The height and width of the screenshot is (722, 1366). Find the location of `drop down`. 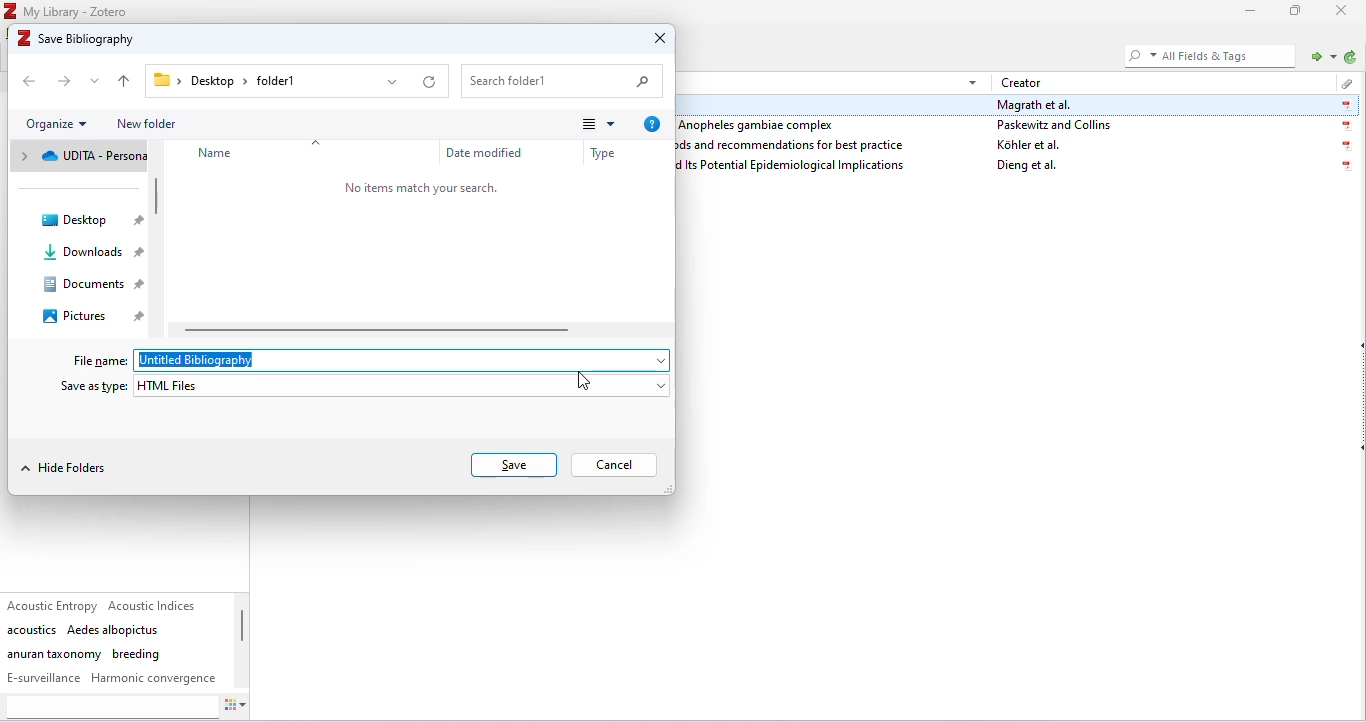

drop down is located at coordinates (394, 81).